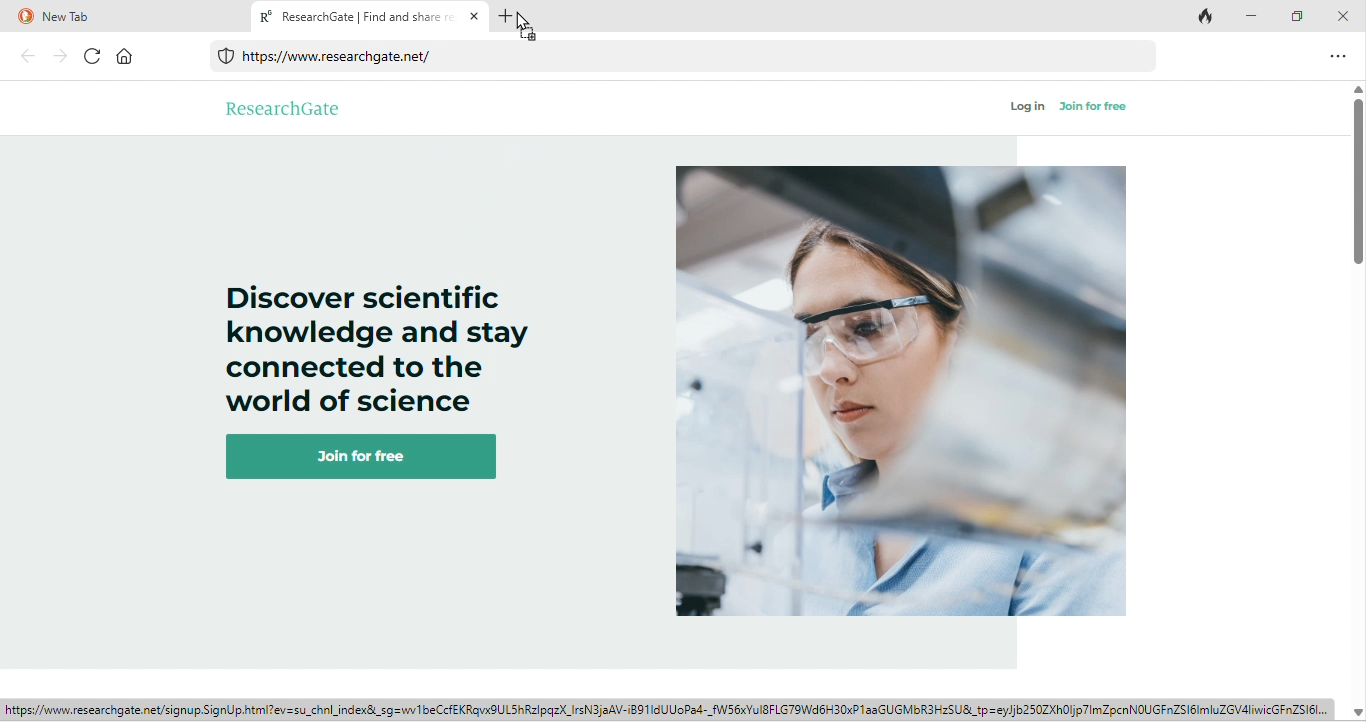 This screenshot has width=1366, height=722. What do you see at coordinates (1207, 18) in the screenshot?
I see `track tab` at bounding box center [1207, 18].